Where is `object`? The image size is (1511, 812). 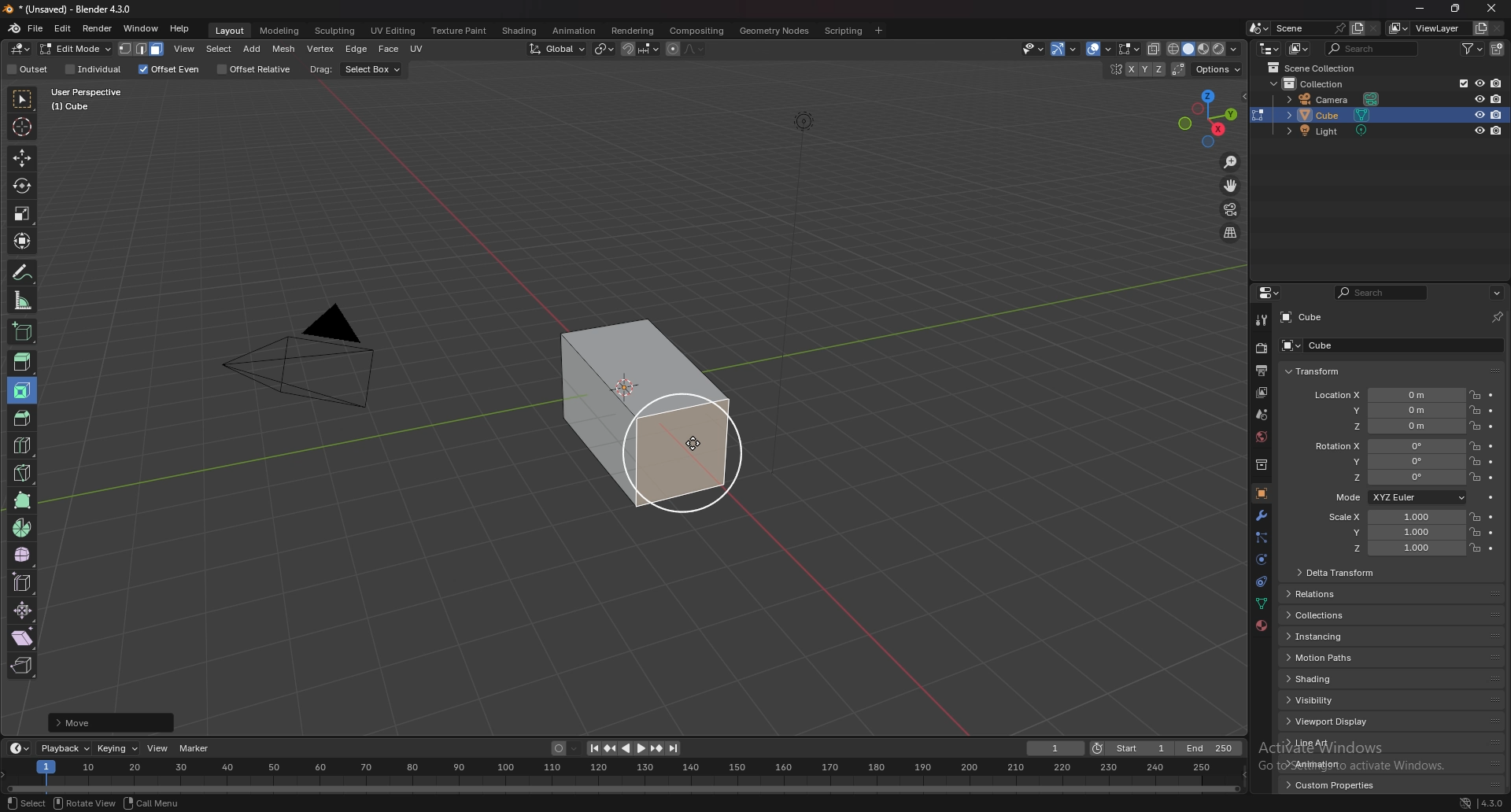 object is located at coordinates (1262, 493).